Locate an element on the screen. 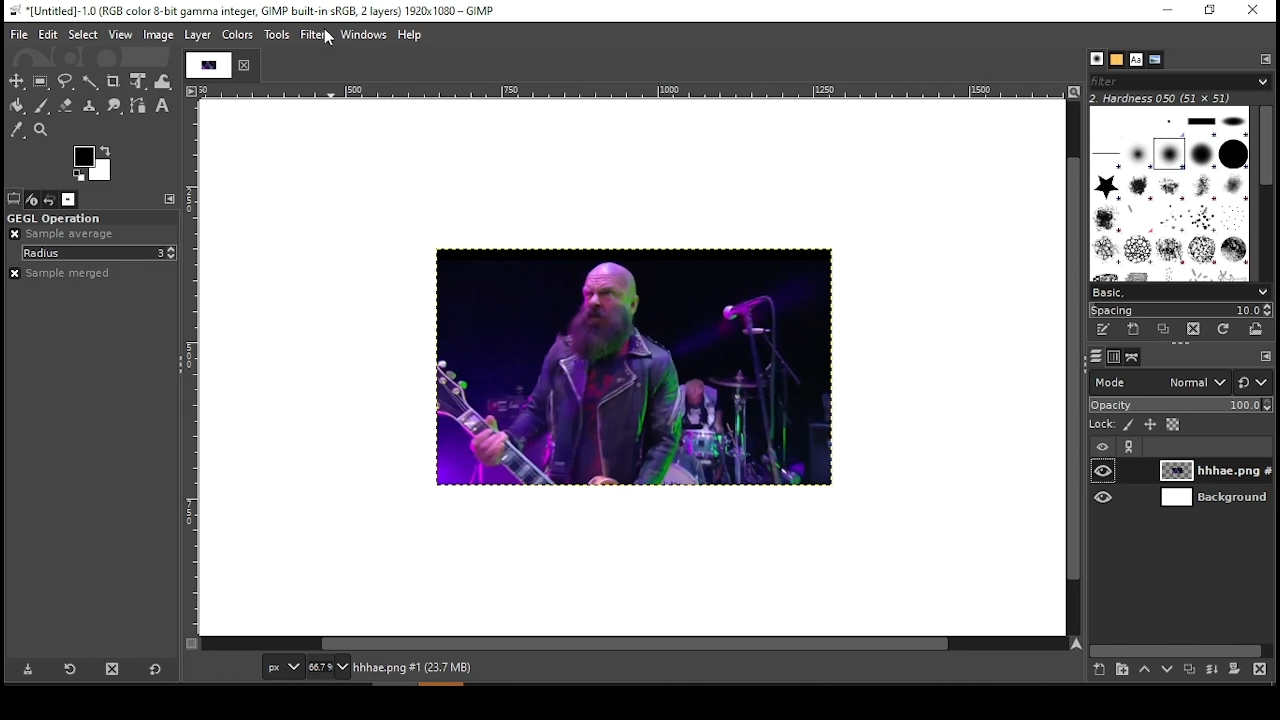  tools is located at coordinates (277, 37).